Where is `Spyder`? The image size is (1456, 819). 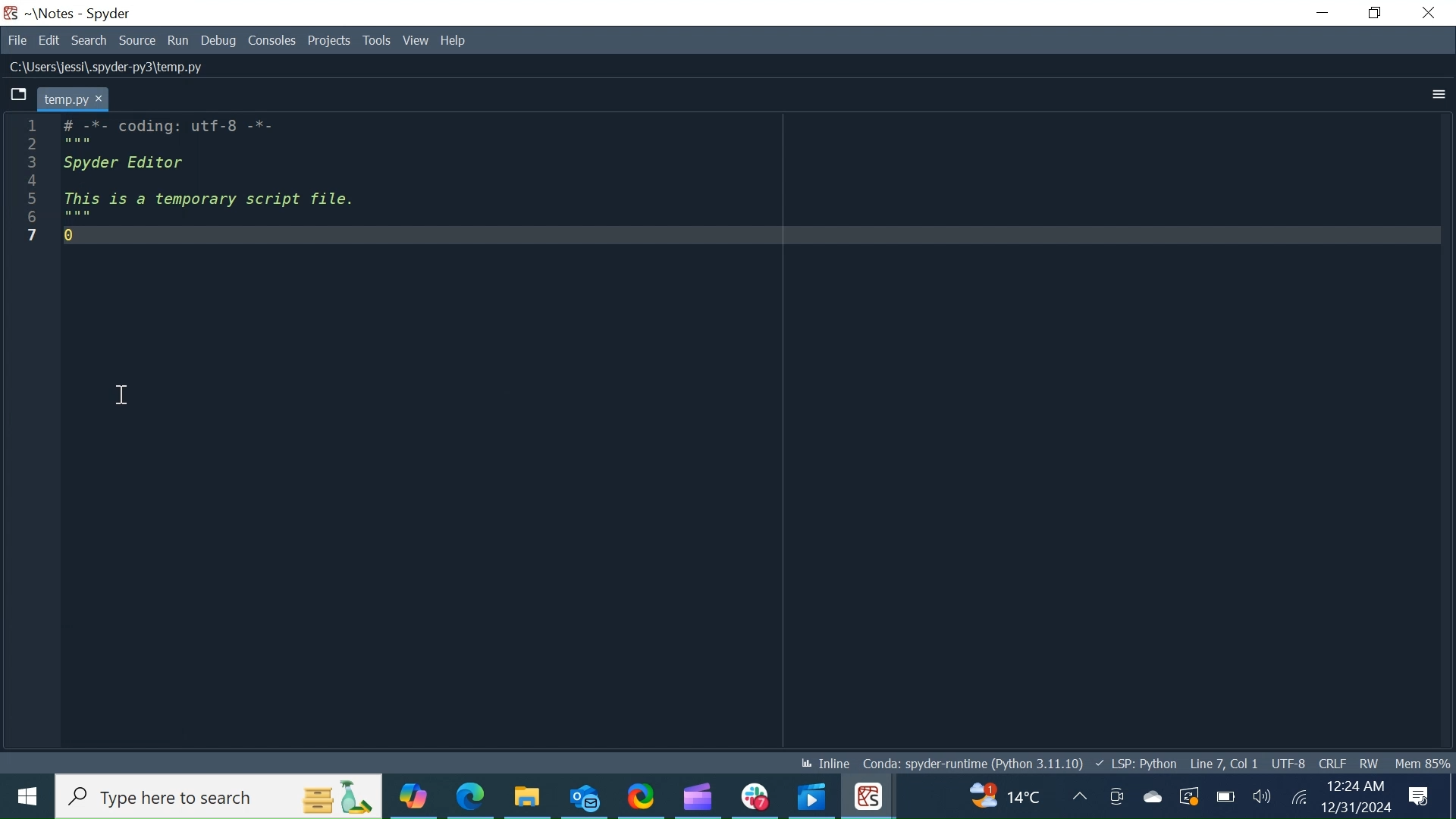
Spyder is located at coordinates (108, 13).